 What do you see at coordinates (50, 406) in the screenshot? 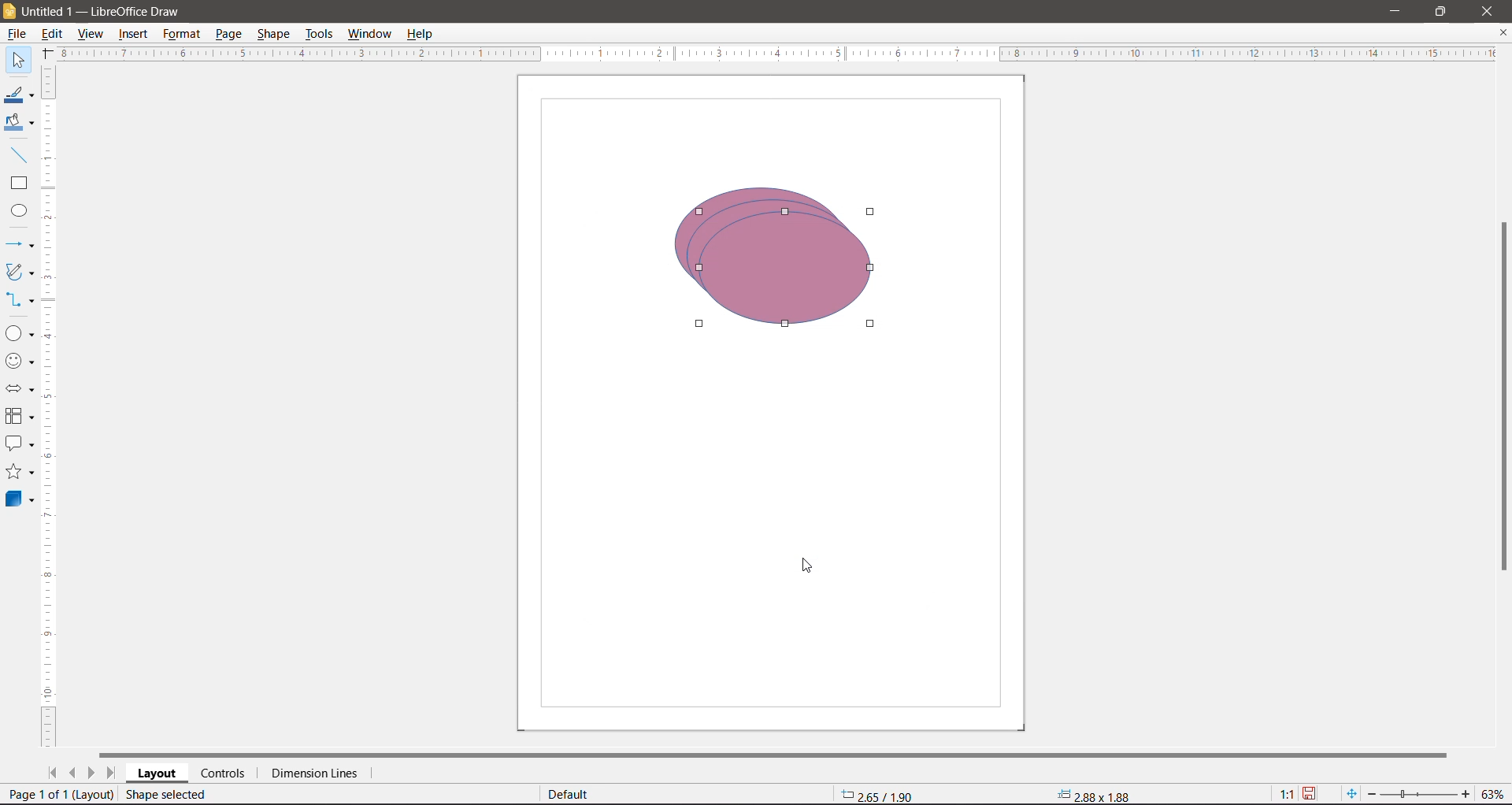
I see `Vertical Ruler` at bounding box center [50, 406].